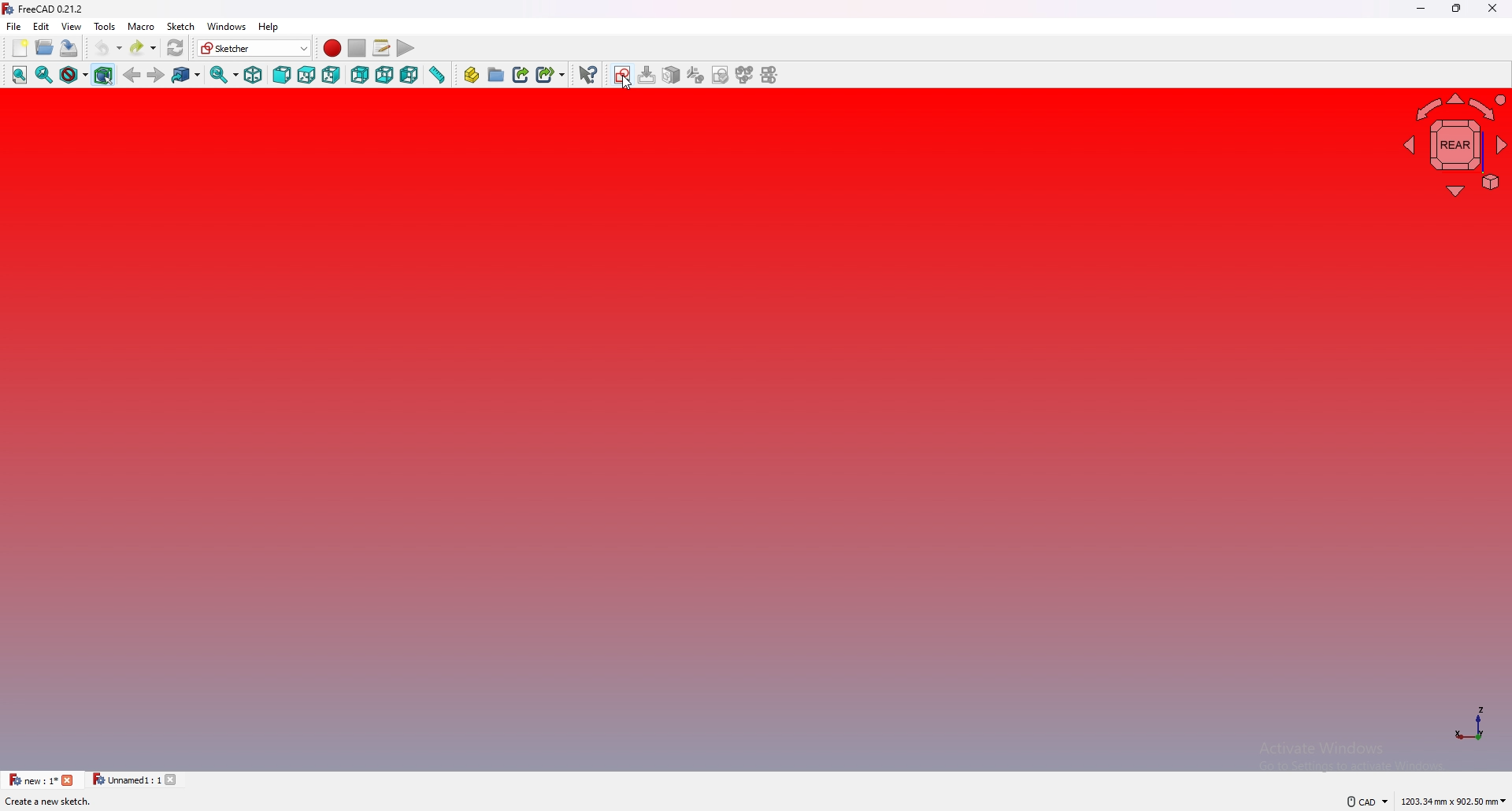  I want to click on resize, so click(1458, 8).